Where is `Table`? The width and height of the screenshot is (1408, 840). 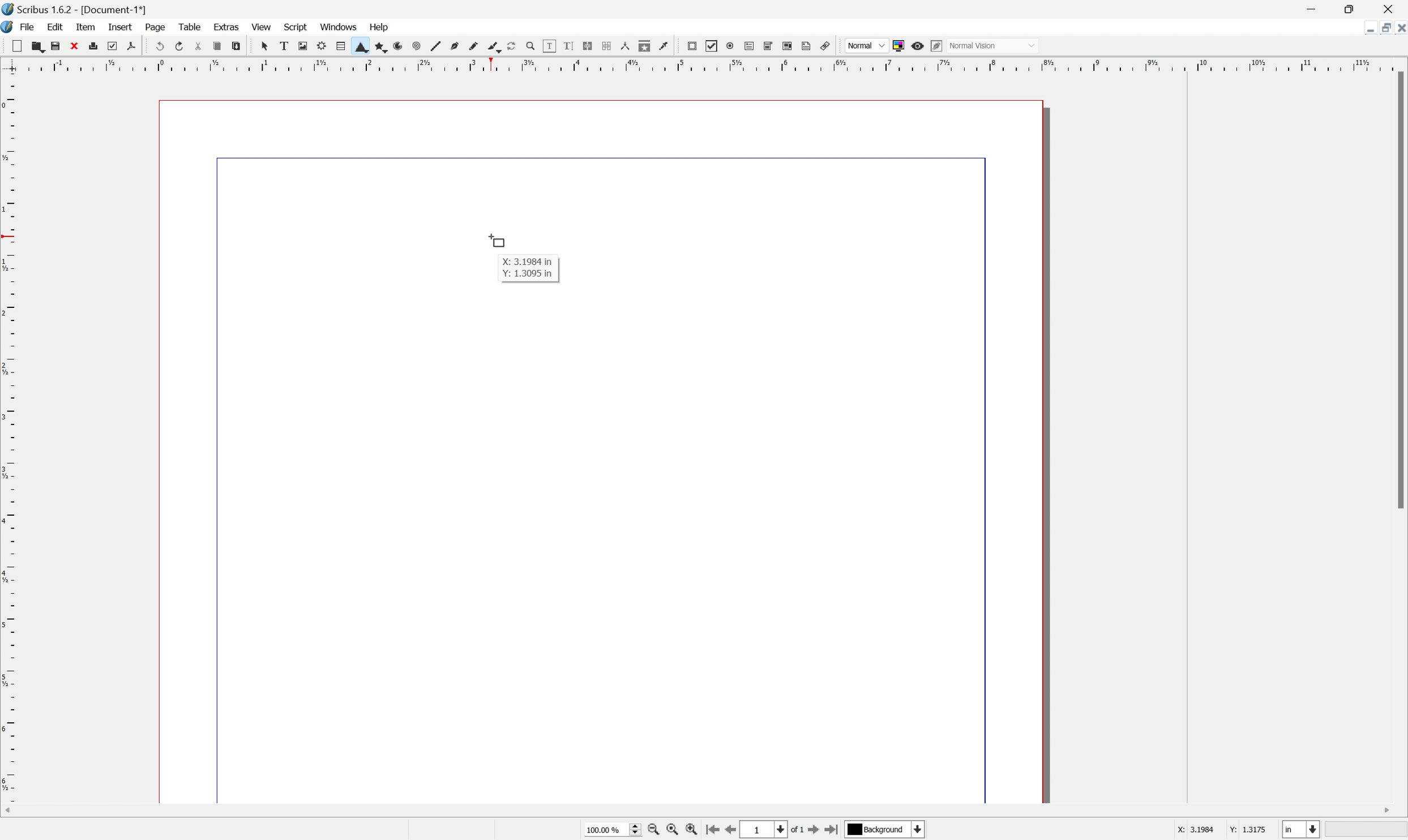 Table is located at coordinates (335, 47).